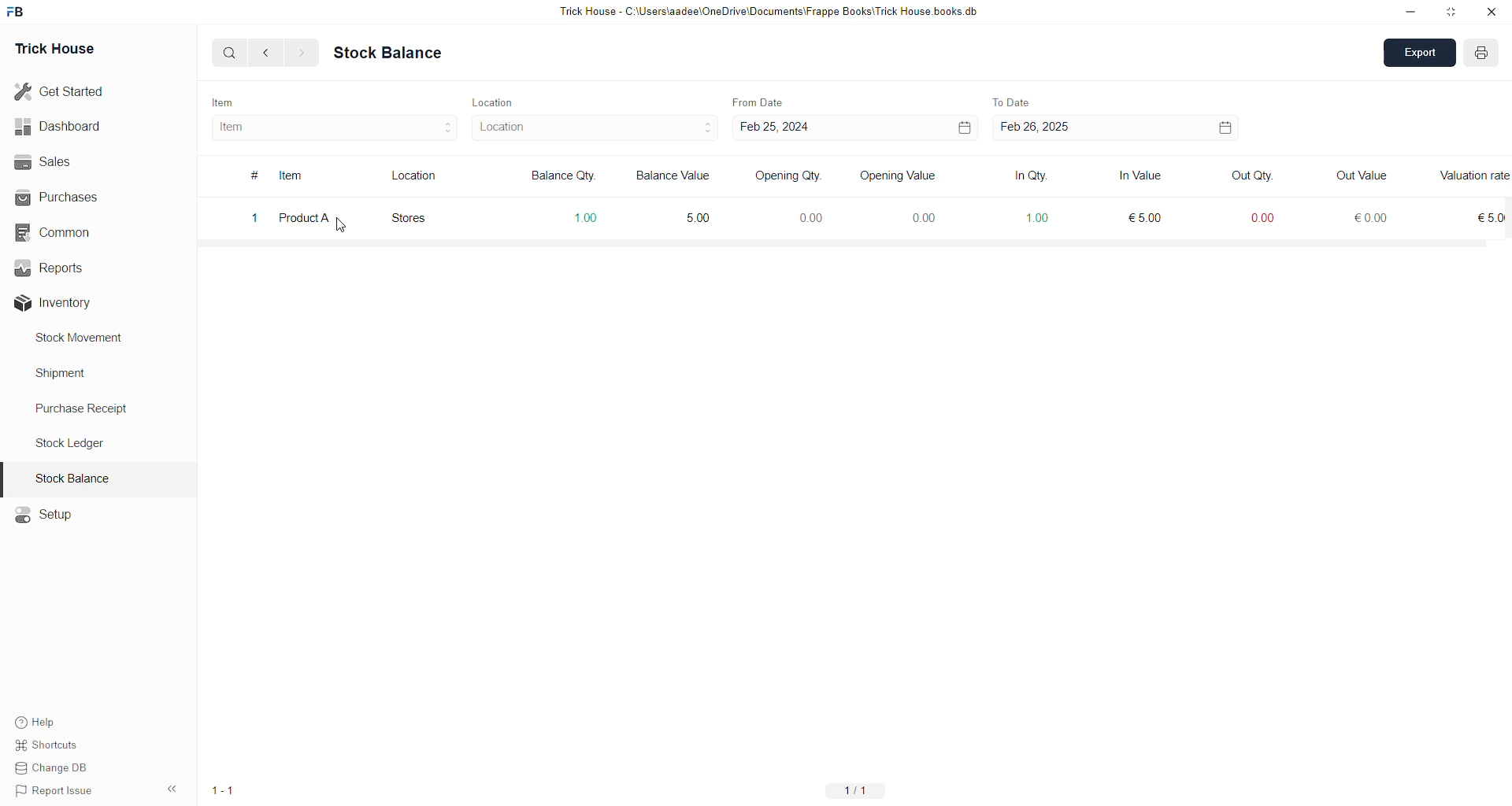 The image size is (1512, 806). Describe the element at coordinates (1422, 54) in the screenshot. I see `Export` at that location.